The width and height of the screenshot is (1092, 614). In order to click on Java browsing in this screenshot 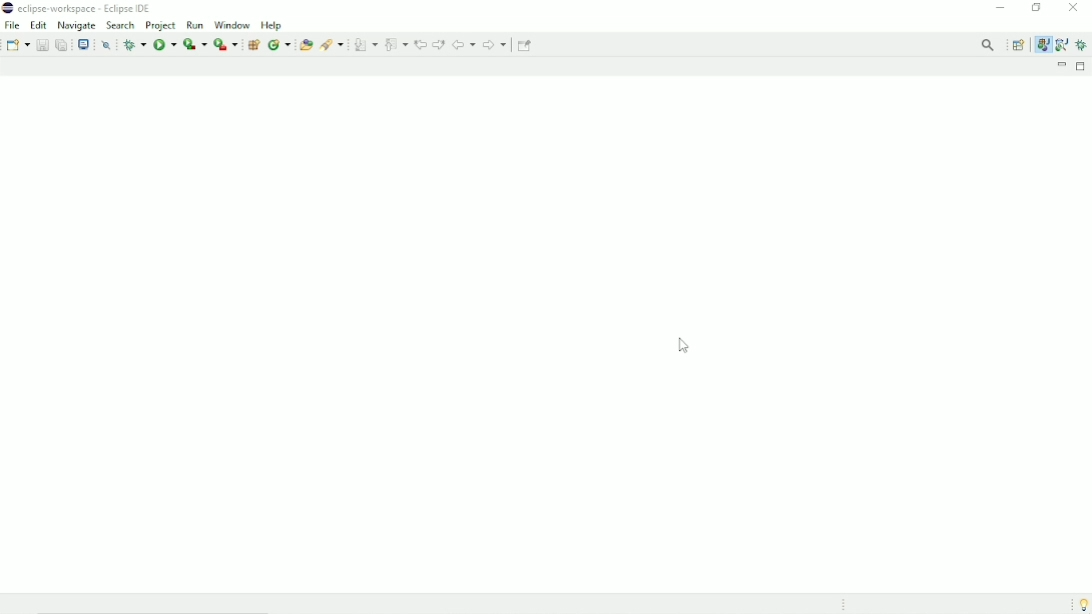, I will do `click(1062, 44)`.